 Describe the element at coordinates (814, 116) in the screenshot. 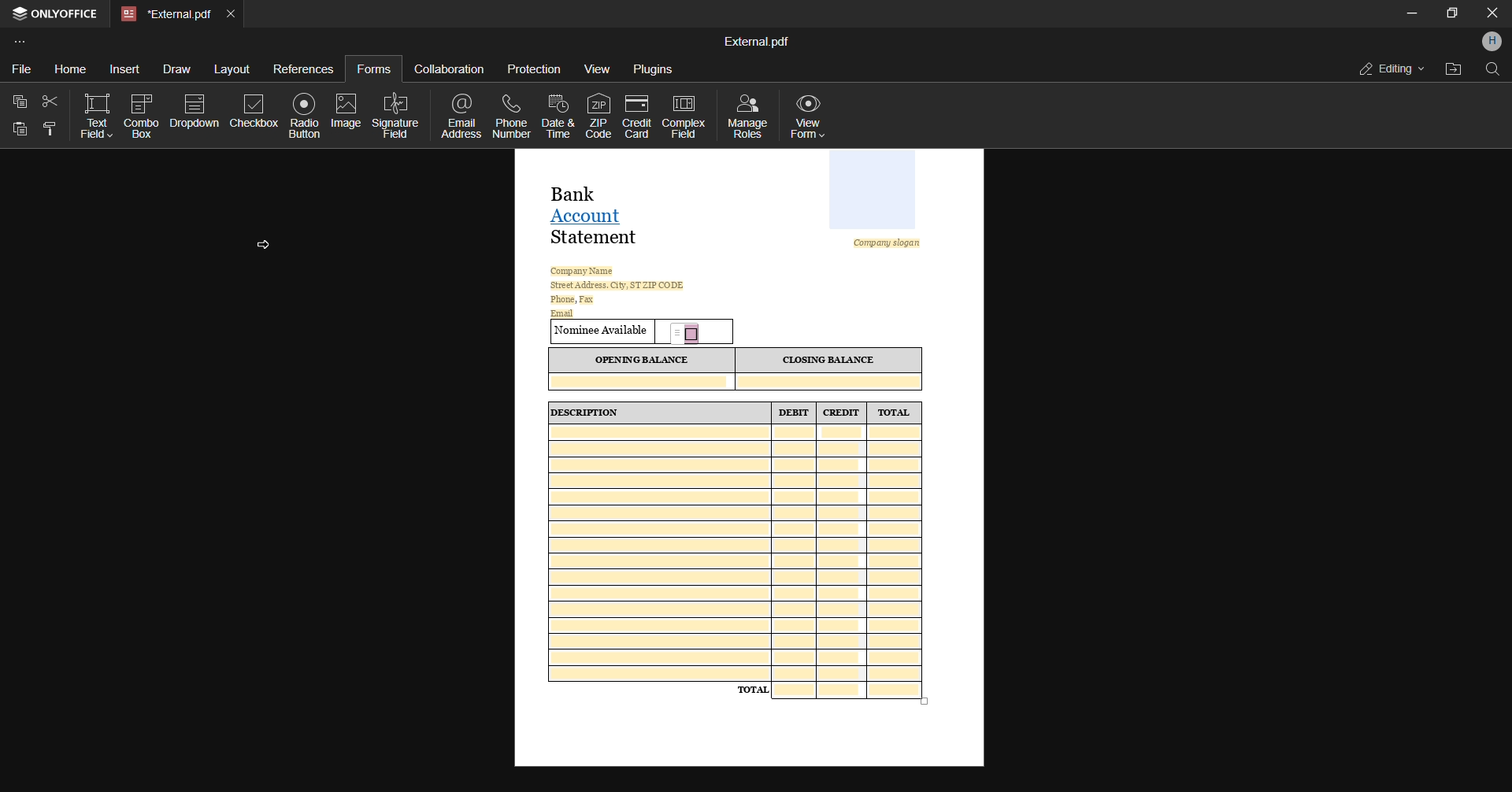

I see `view form` at that location.